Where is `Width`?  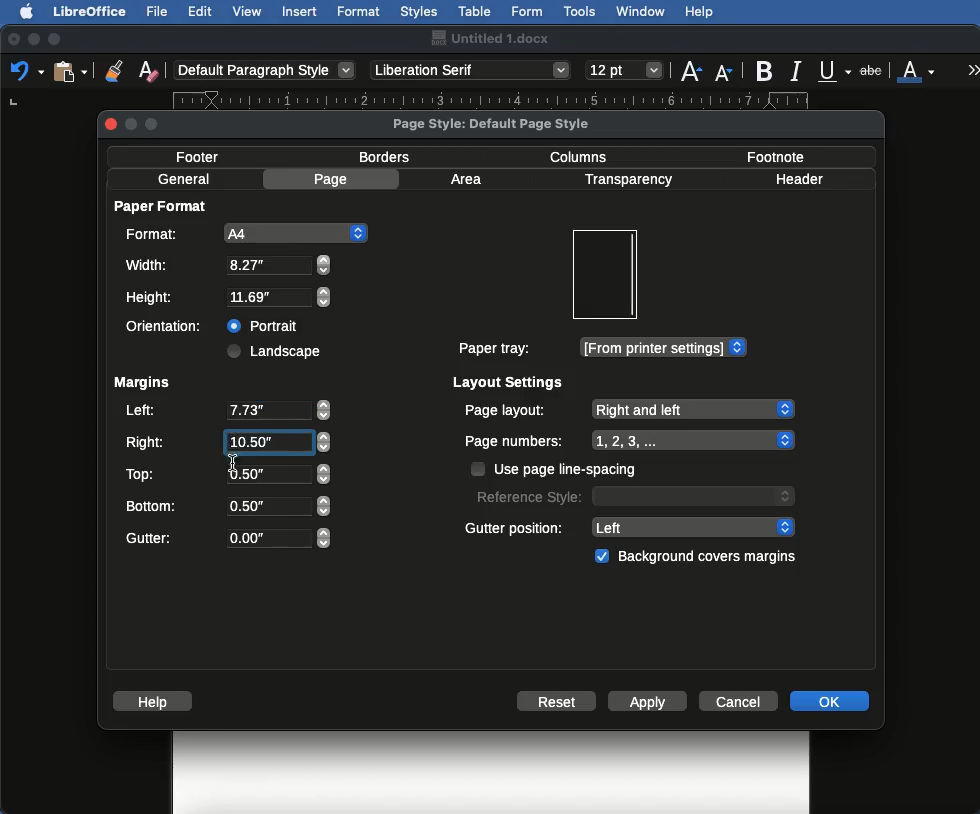
Width is located at coordinates (227, 265).